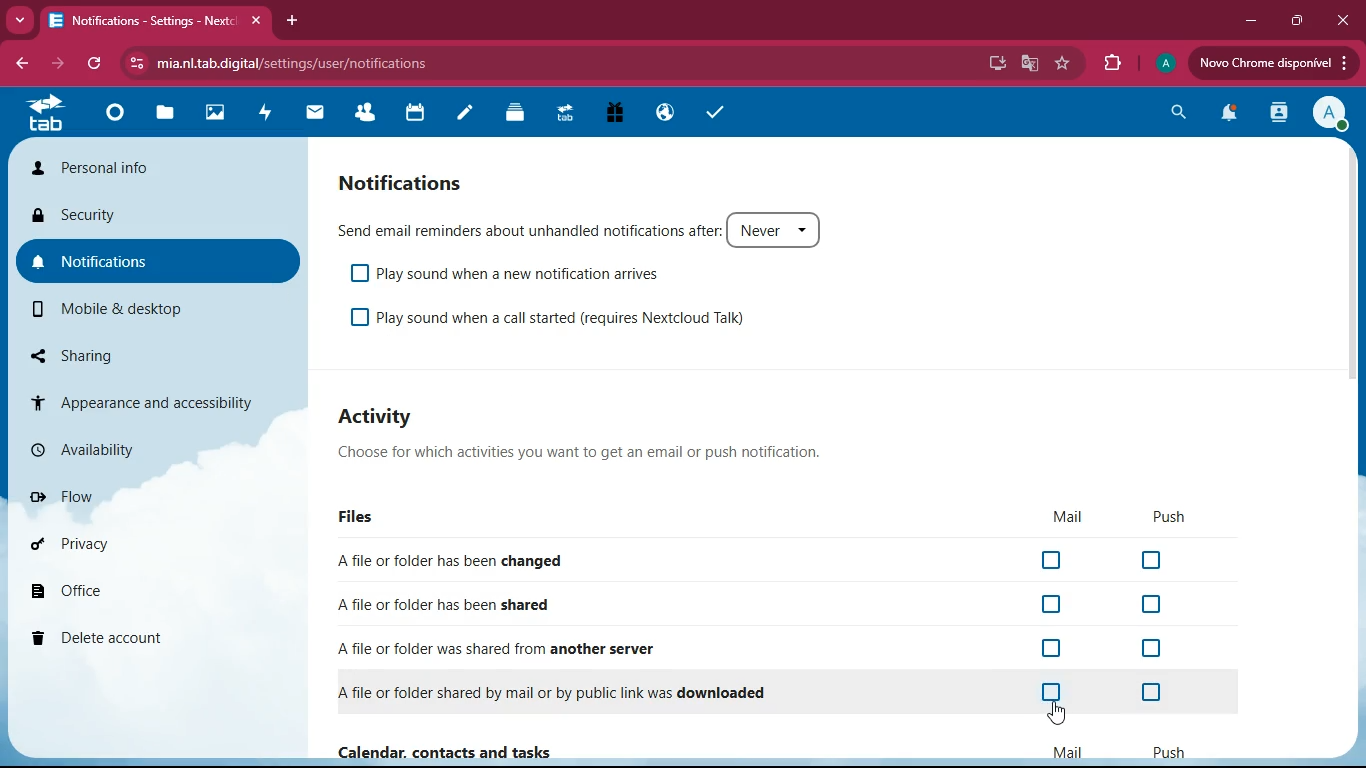  I want to click on url, so click(295, 62).